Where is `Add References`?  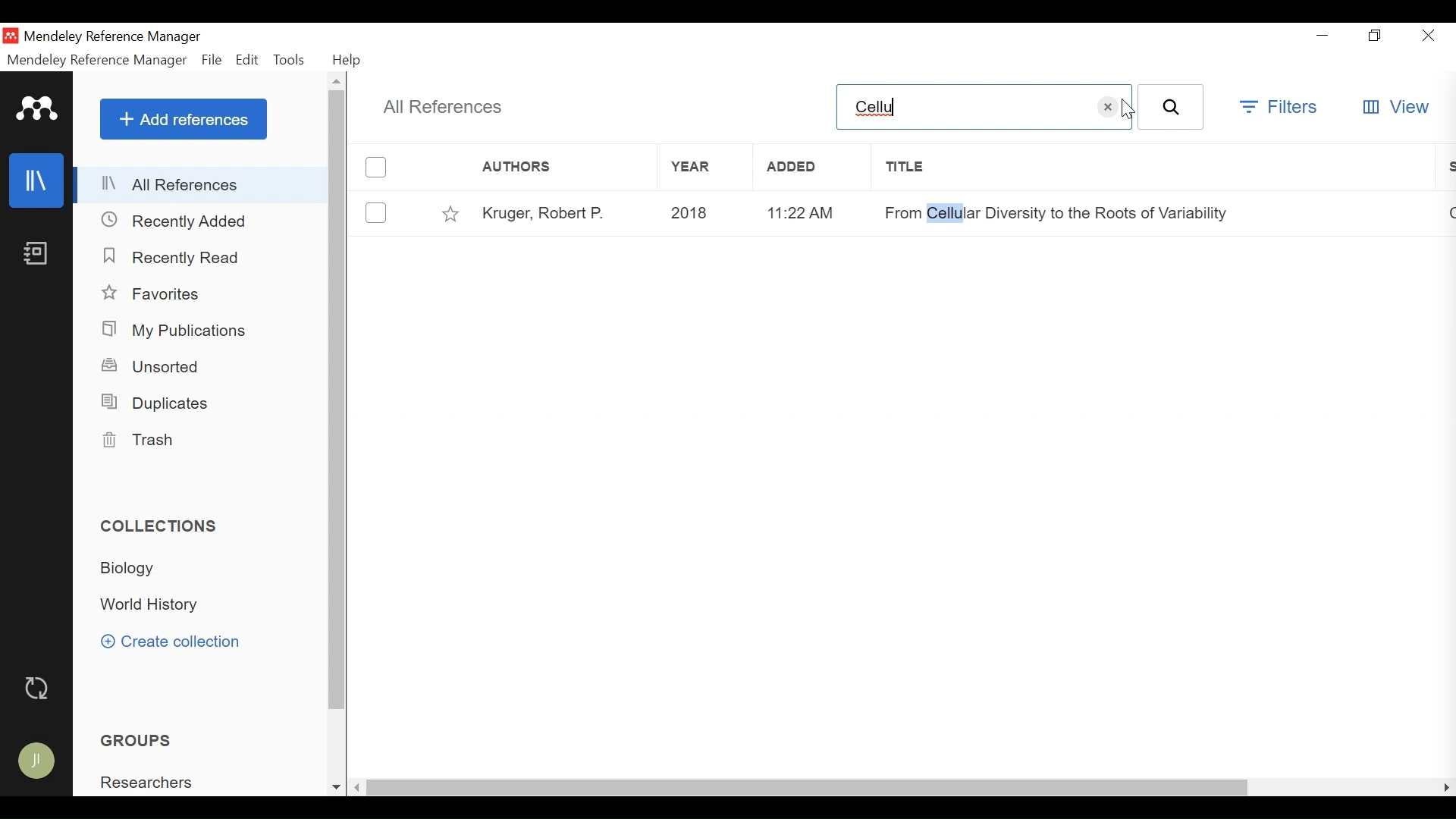 Add References is located at coordinates (184, 118).